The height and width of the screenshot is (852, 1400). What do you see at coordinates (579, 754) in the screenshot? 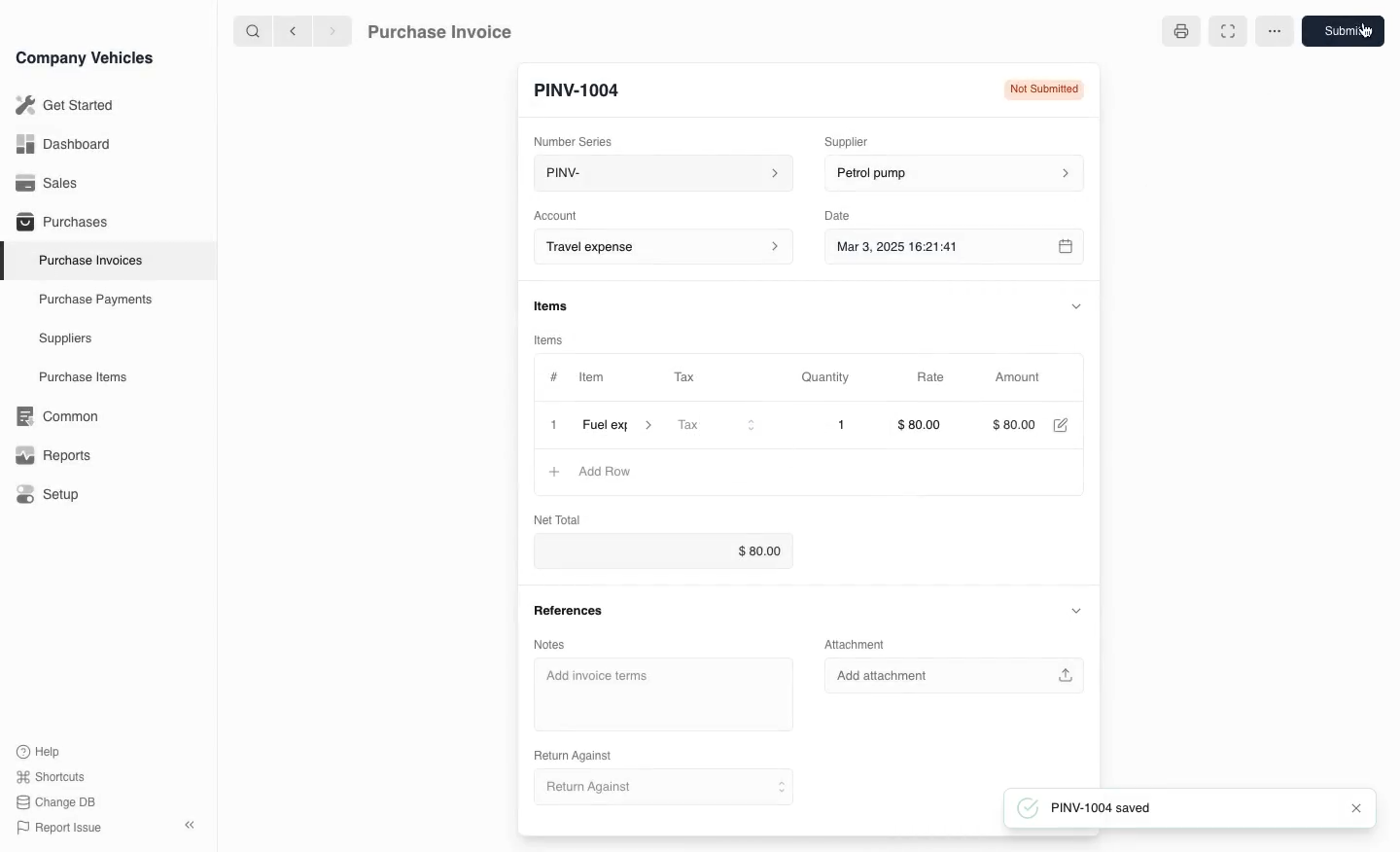
I see `Return Against` at bounding box center [579, 754].